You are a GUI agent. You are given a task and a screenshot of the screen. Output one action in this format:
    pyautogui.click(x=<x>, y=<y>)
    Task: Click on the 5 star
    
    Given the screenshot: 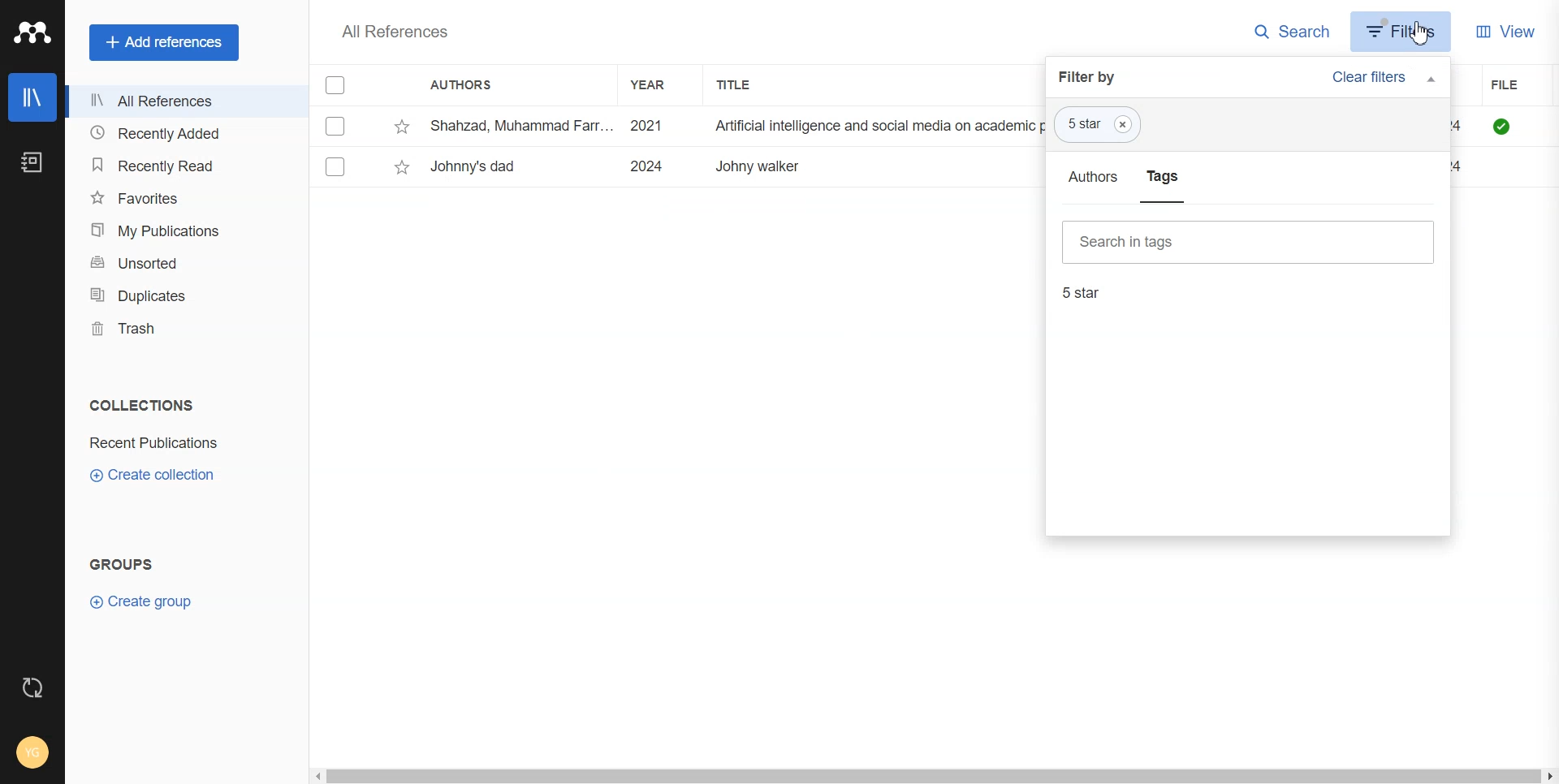 What is the action you would take?
    pyautogui.click(x=1089, y=291)
    